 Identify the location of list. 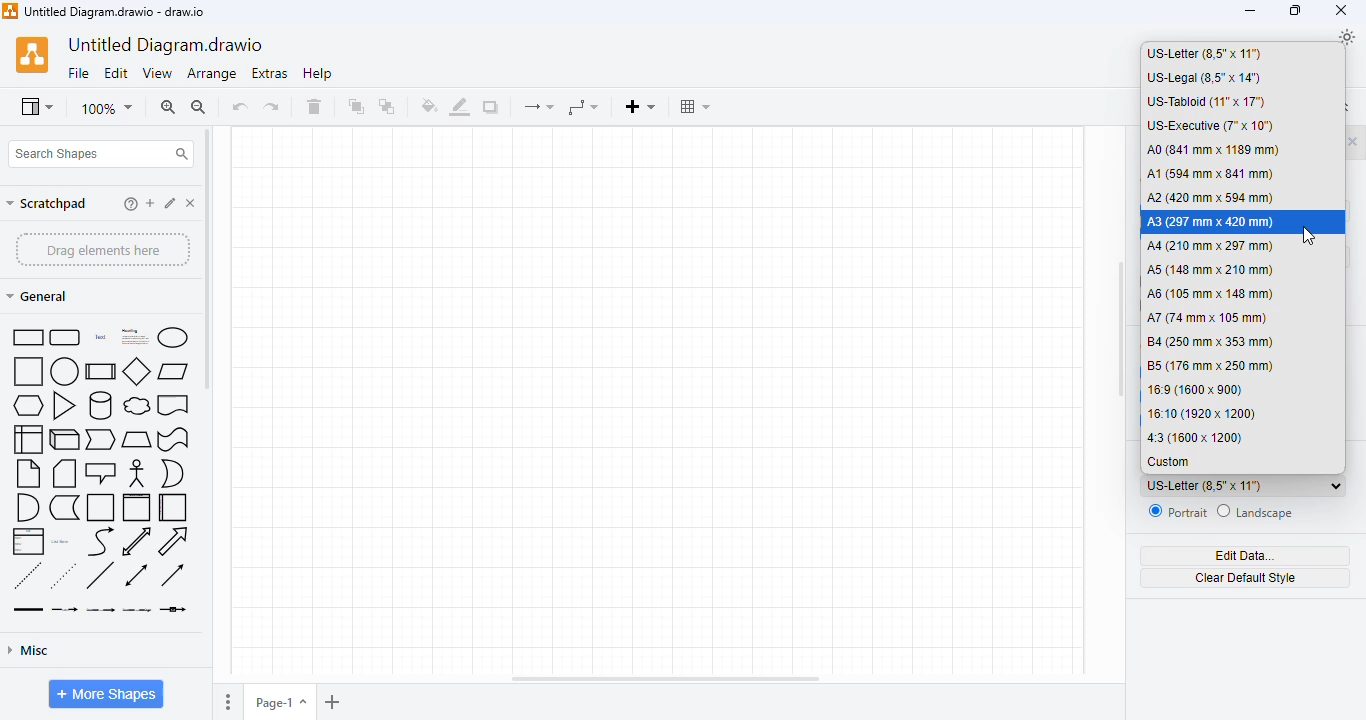
(28, 541).